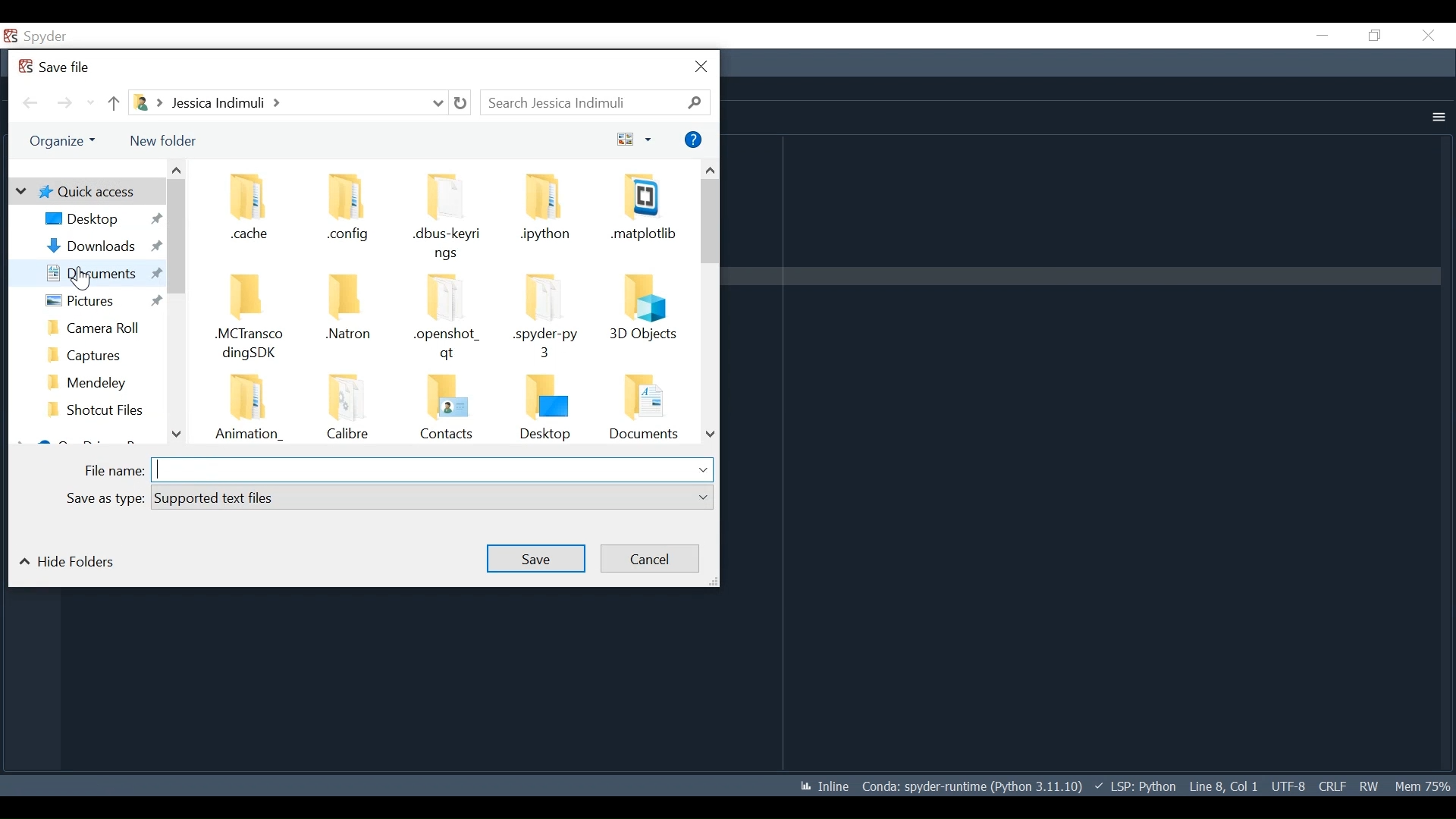 This screenshot has width=1456, height=819. What do you see at coordinates (249, 409) in the screenshot?
I see `Folder` at bounding box center [249, 409].